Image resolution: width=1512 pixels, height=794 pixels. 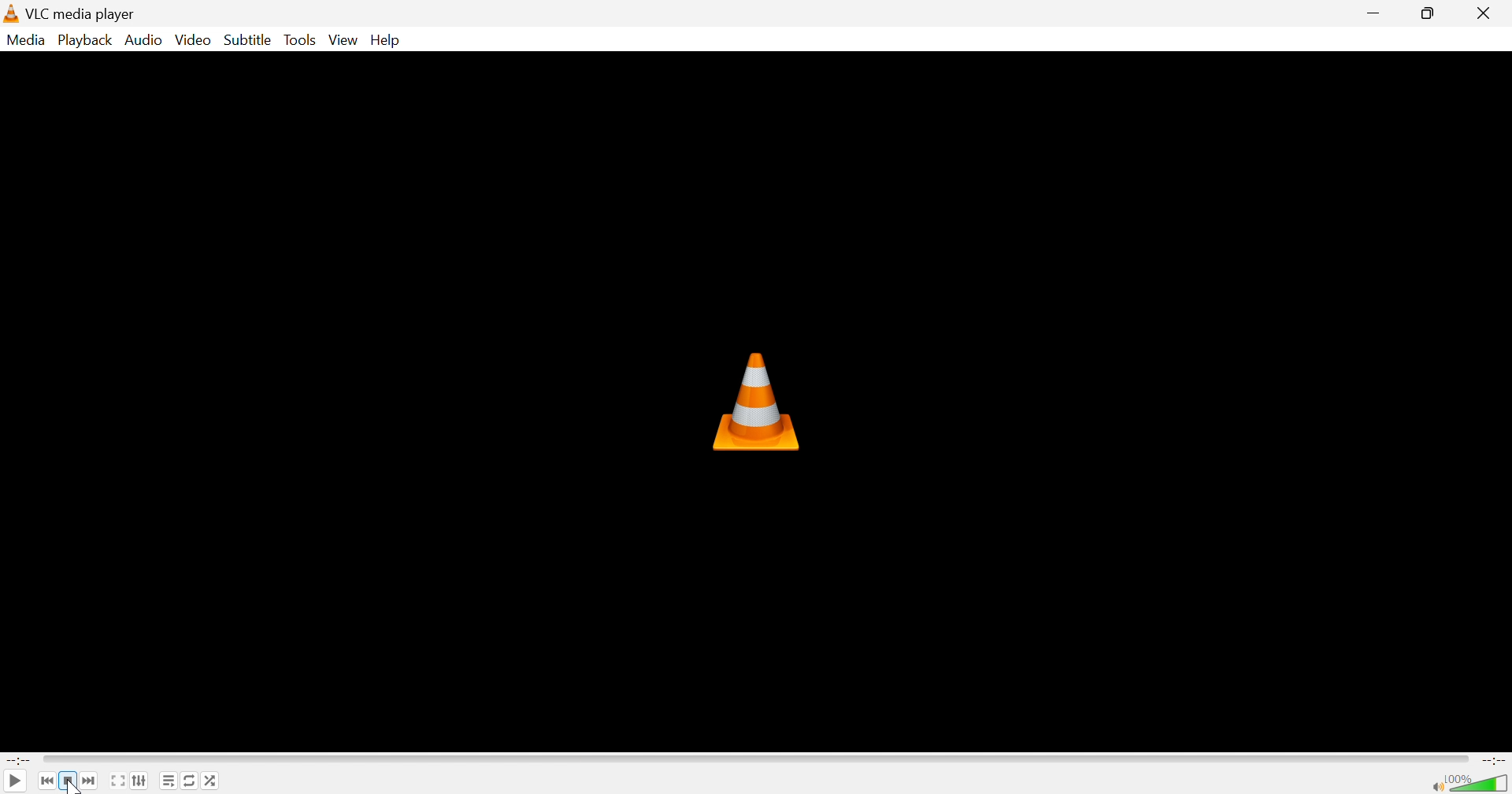 What do you see at coordinates (759, 400) in the screenshot?
I see `VLC media player icon` at bounding box center [759, 400].